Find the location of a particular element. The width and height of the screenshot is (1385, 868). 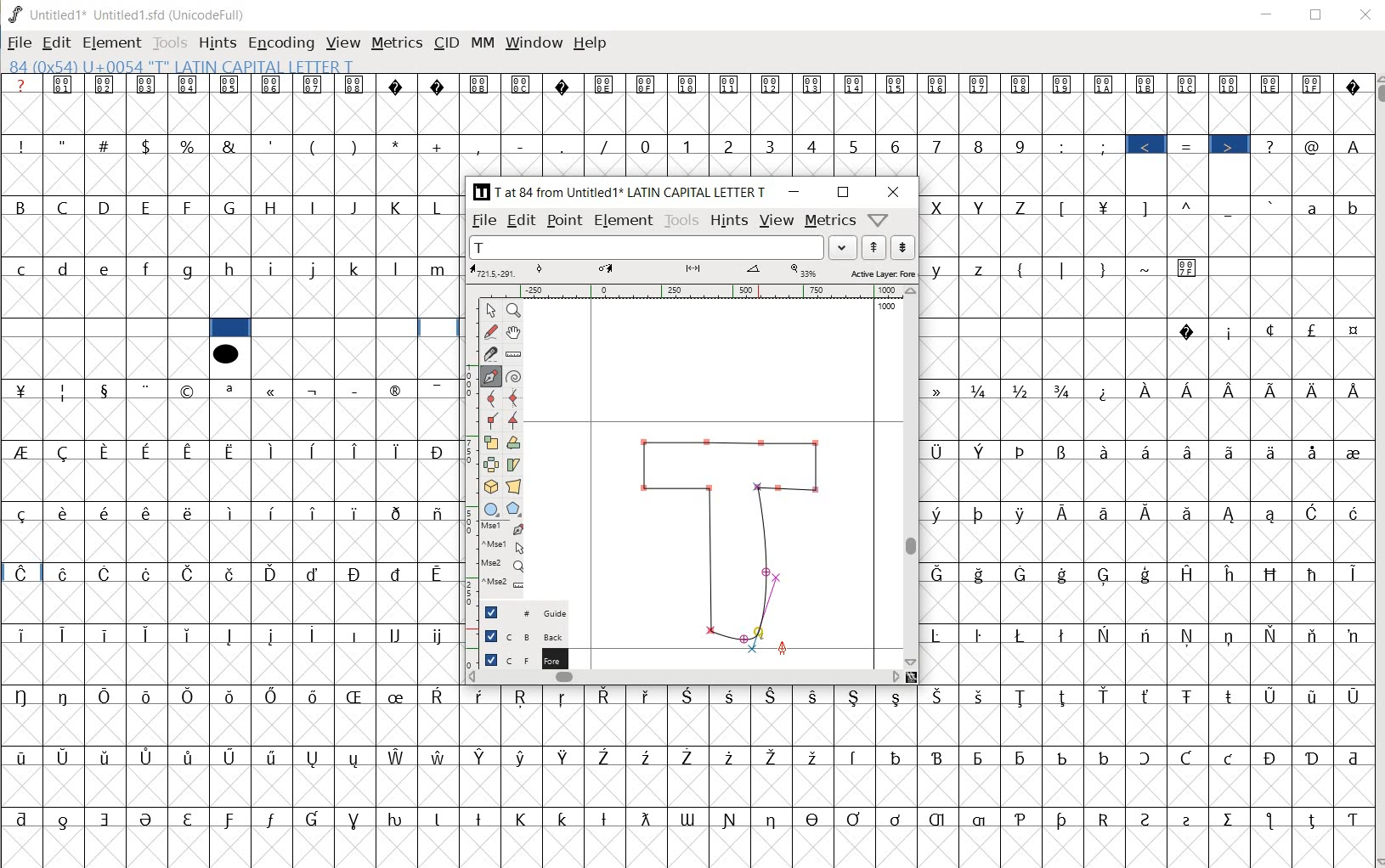

m is located at coordinates (440, 268).